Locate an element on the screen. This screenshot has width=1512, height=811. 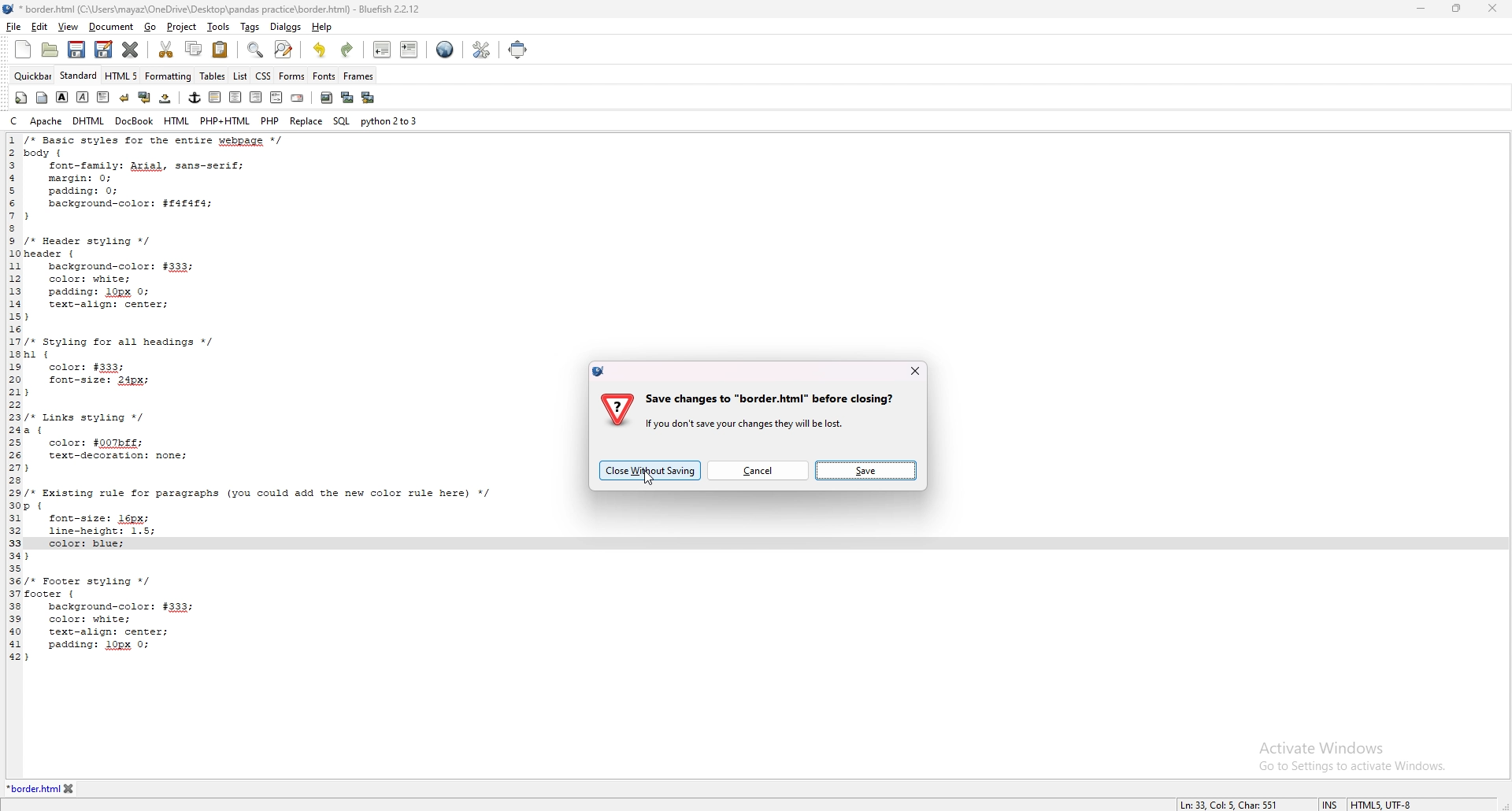
redo is located at coordinates (347, 48).